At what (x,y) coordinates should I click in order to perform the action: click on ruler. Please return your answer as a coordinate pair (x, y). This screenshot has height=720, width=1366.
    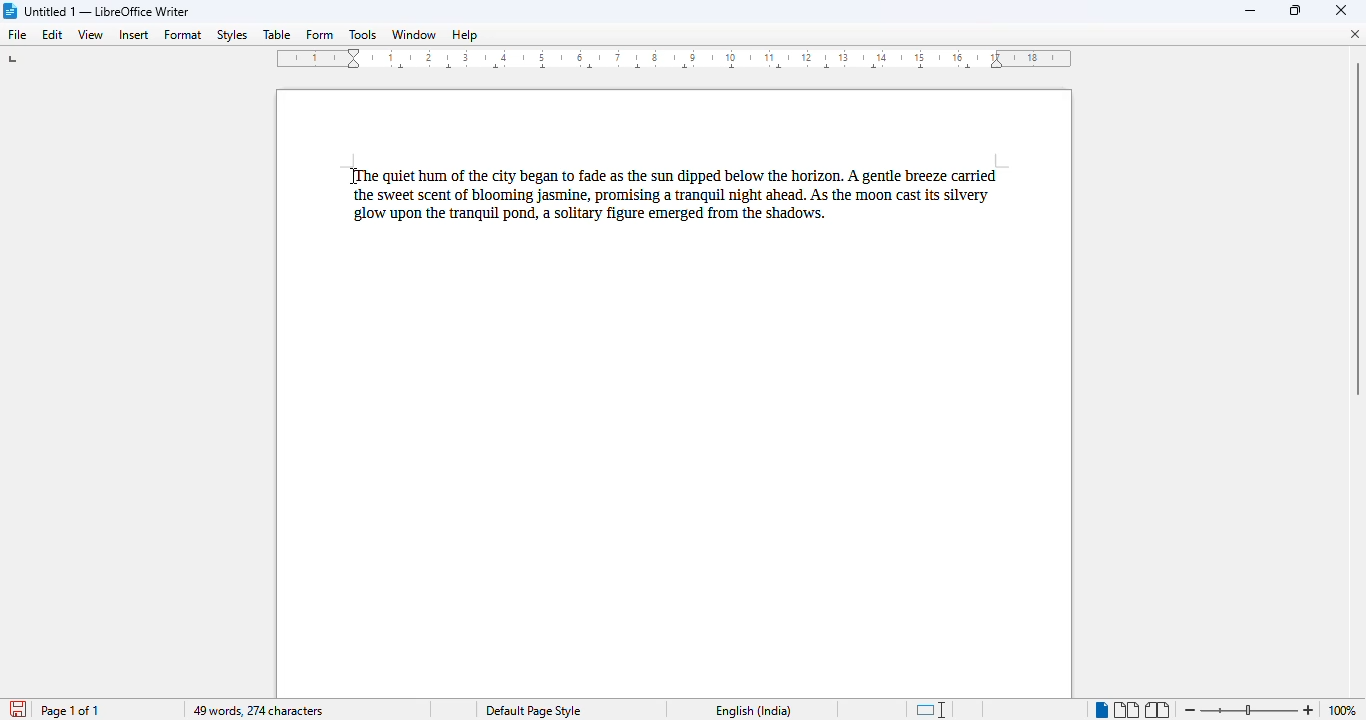
    Looking at the image, I should click on (675, 58).